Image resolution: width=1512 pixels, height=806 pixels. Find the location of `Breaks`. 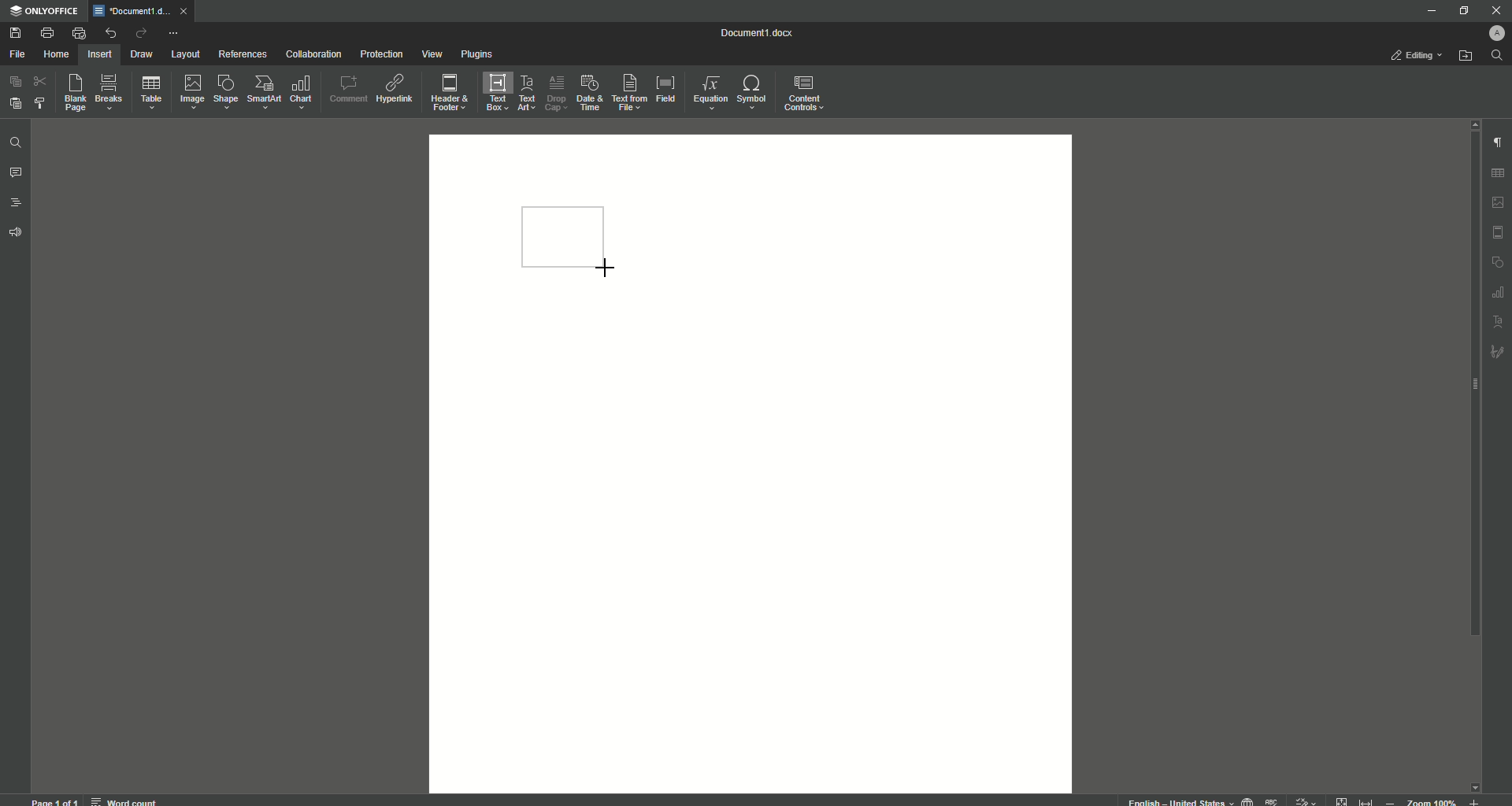

Breaks is located at coordinates (109, 93).